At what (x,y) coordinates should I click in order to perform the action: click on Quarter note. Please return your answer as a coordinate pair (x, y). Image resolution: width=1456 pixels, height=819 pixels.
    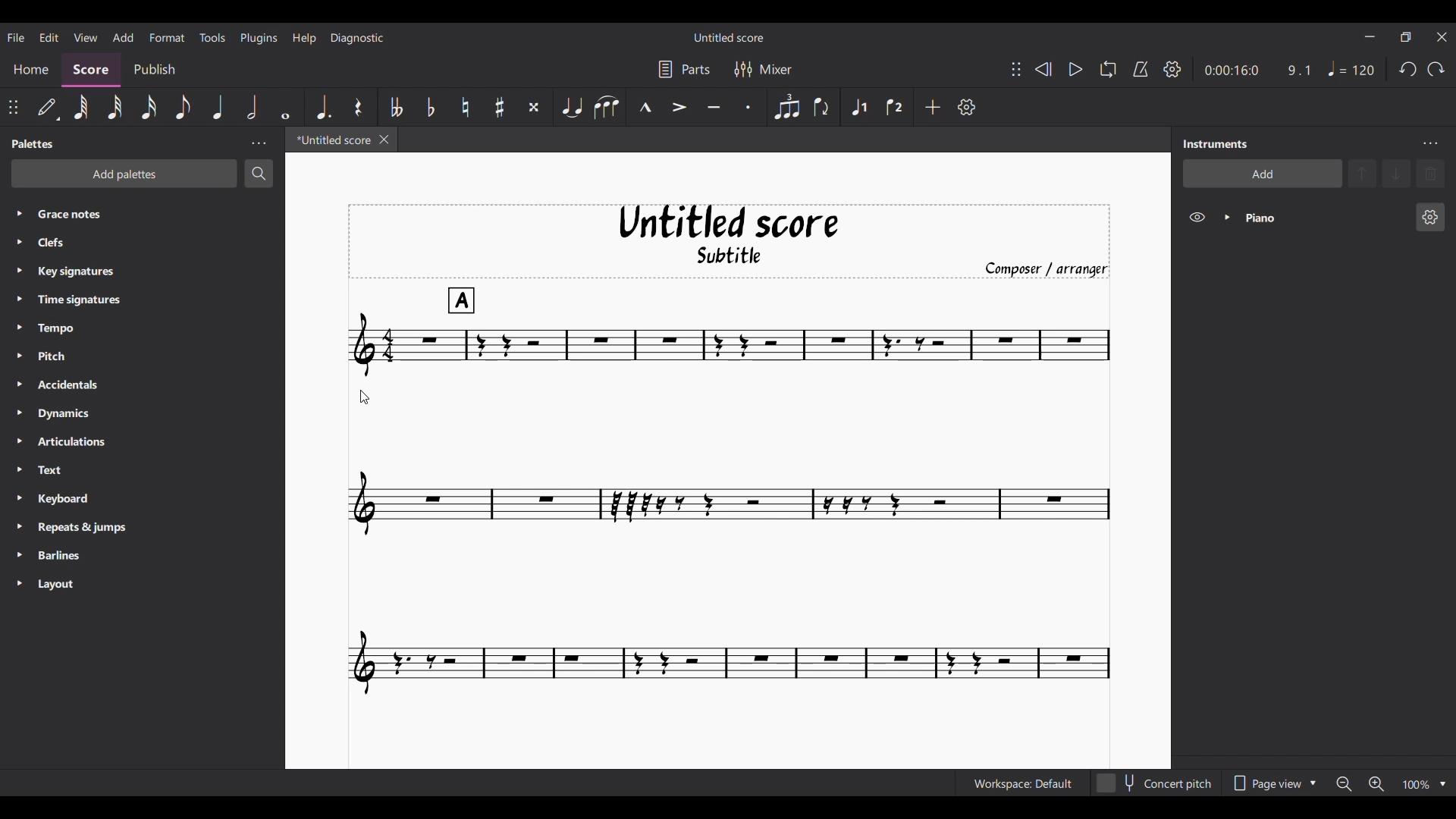
    Looking at the image, I should click on (1351, 68).